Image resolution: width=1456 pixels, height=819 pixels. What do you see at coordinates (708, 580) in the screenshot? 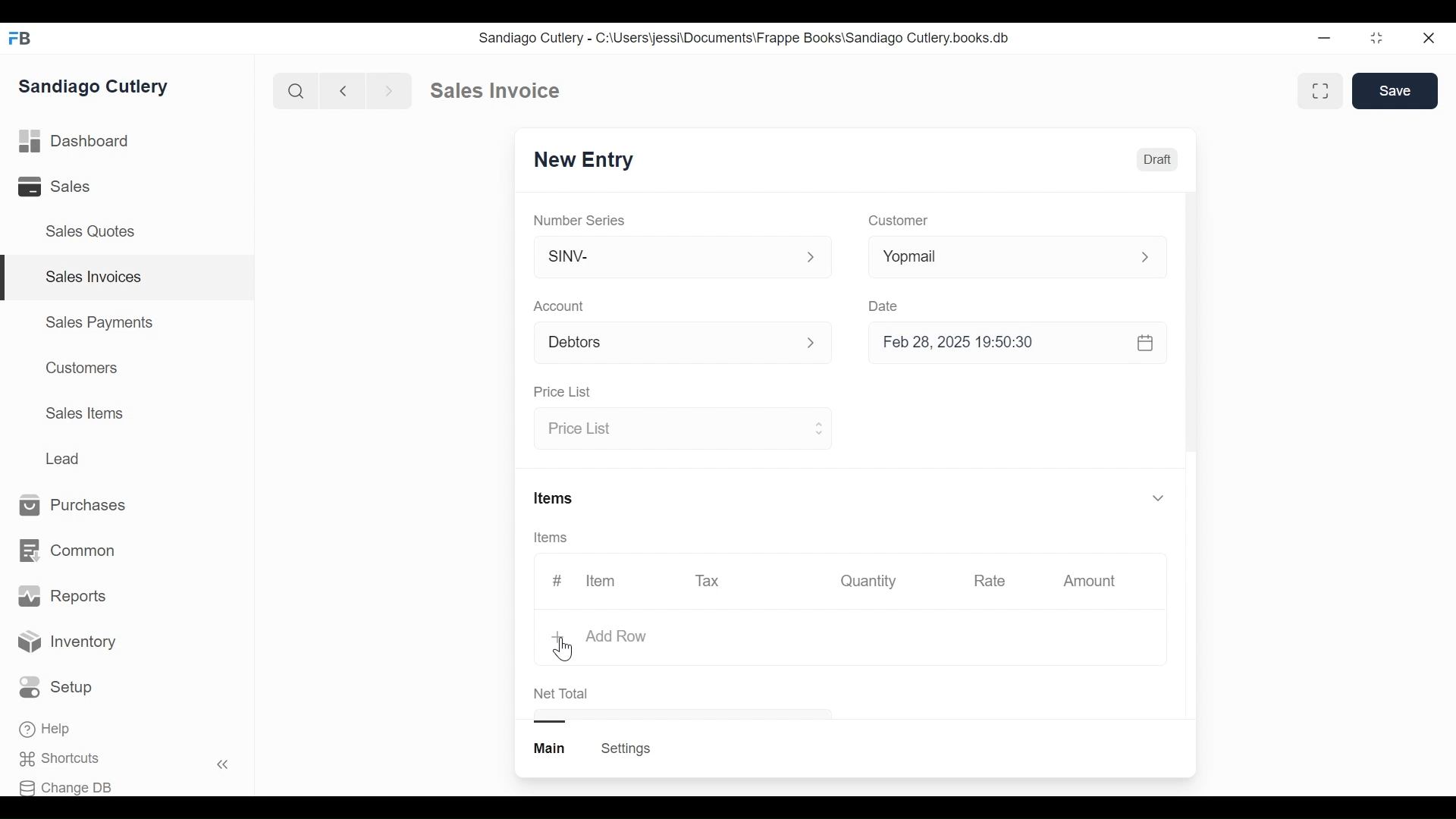
I see `Tax` at bounding box center [708, 580].